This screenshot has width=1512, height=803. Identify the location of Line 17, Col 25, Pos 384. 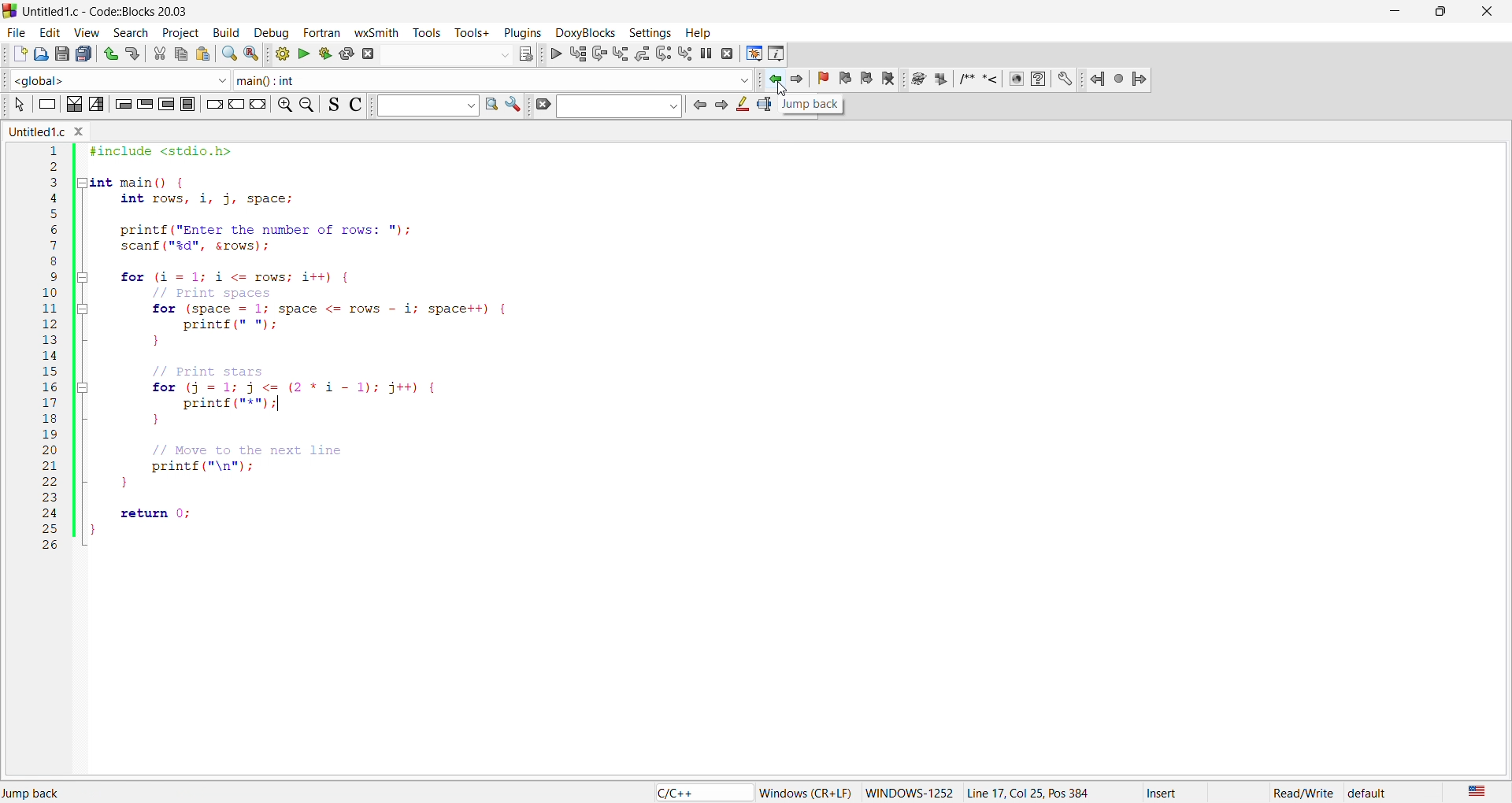
(1035, 790).